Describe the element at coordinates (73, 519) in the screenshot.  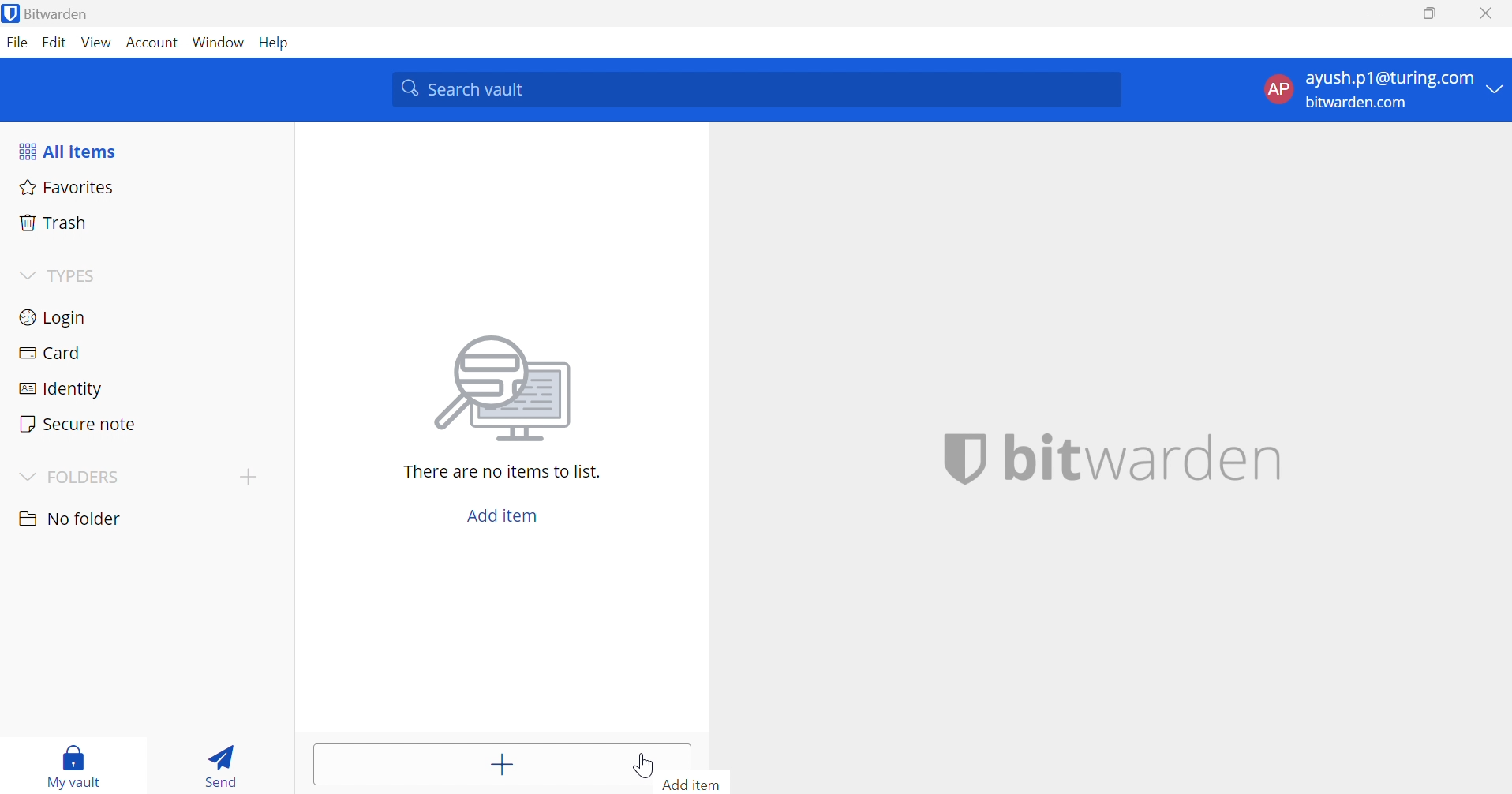
I see `No folder` at that location.